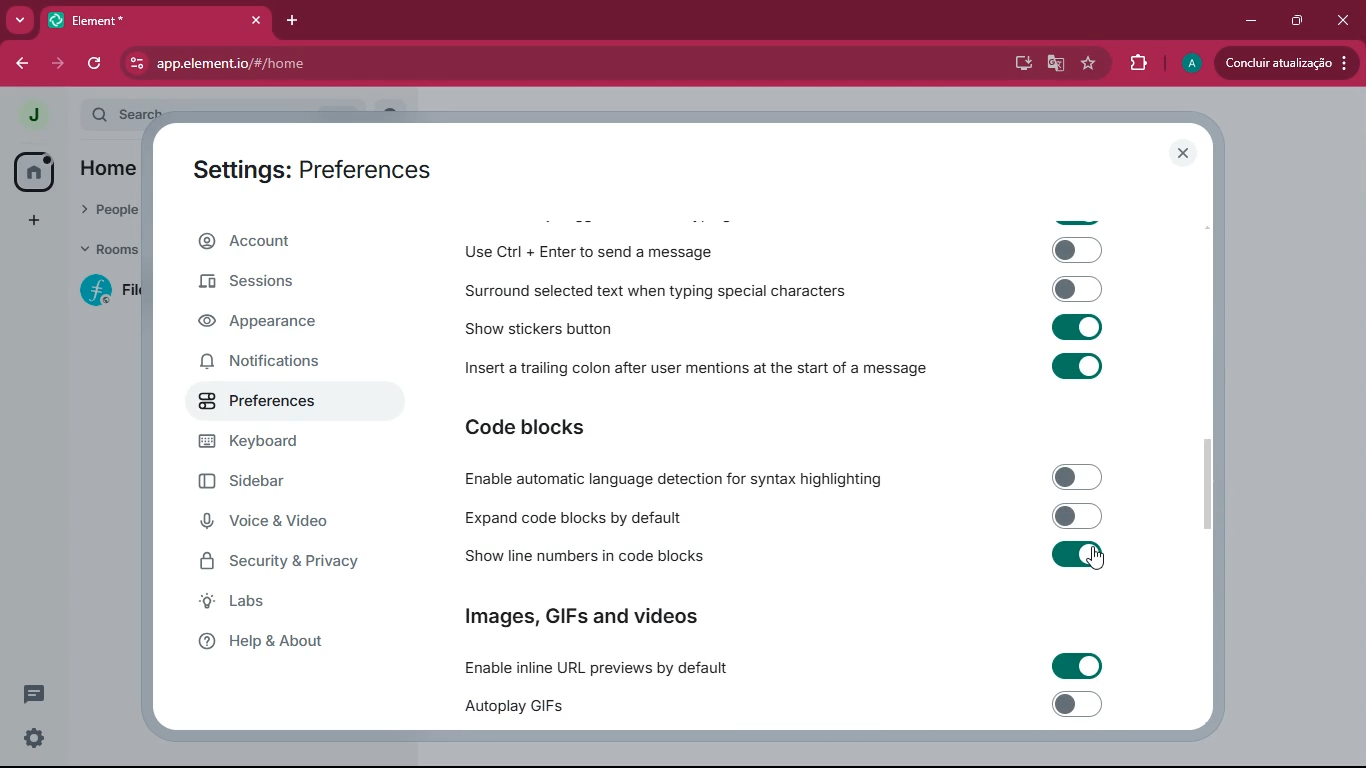 The image size is (1366, 768). Describe the element at coordinates (1287, 62) in the screenshot. I see `conduir atualizacao` at that location.